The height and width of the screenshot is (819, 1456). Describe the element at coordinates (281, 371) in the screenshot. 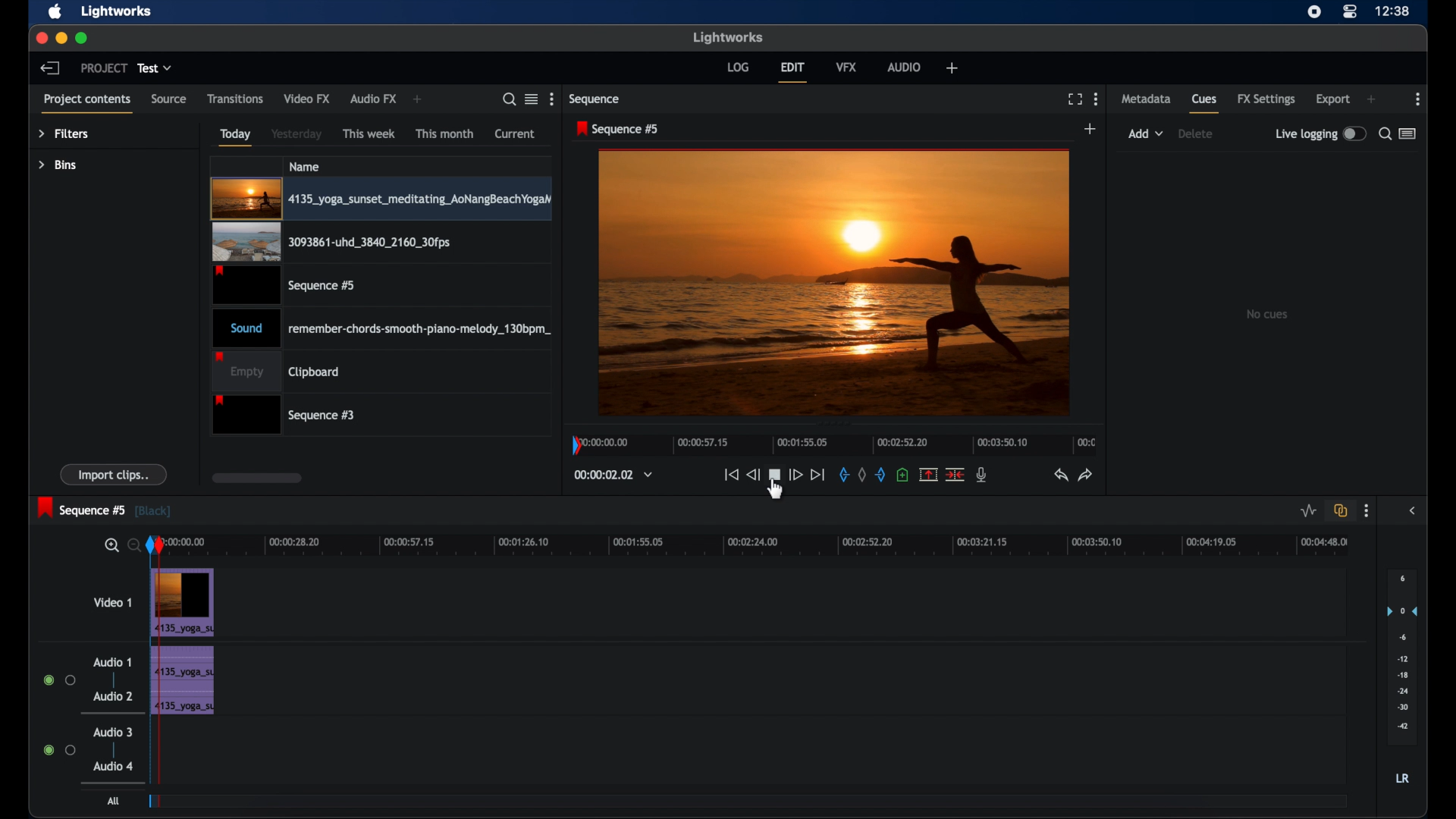

I see `clipboard` at that location.